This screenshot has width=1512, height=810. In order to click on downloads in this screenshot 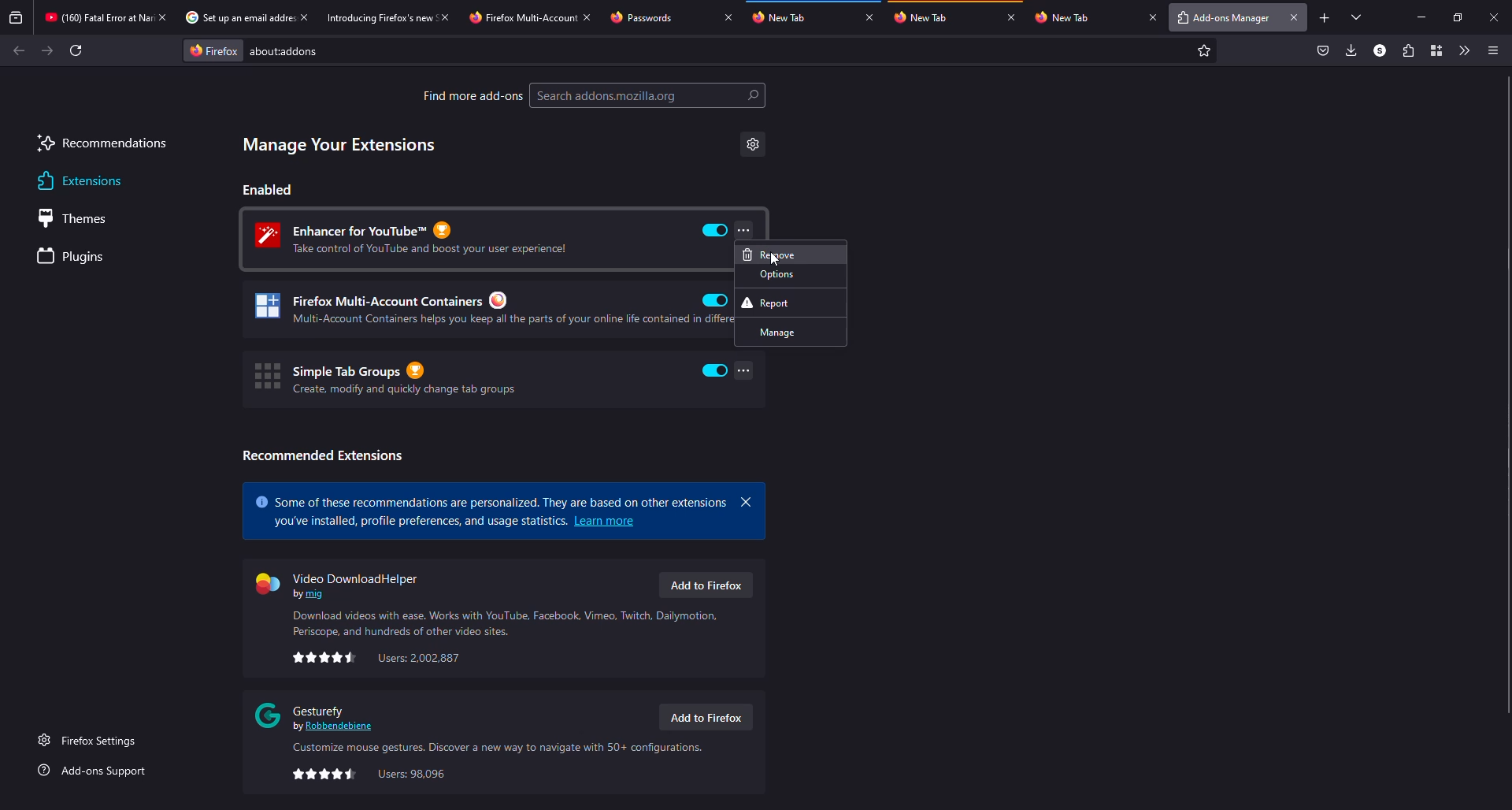, I will do `click(1350, 50)`.